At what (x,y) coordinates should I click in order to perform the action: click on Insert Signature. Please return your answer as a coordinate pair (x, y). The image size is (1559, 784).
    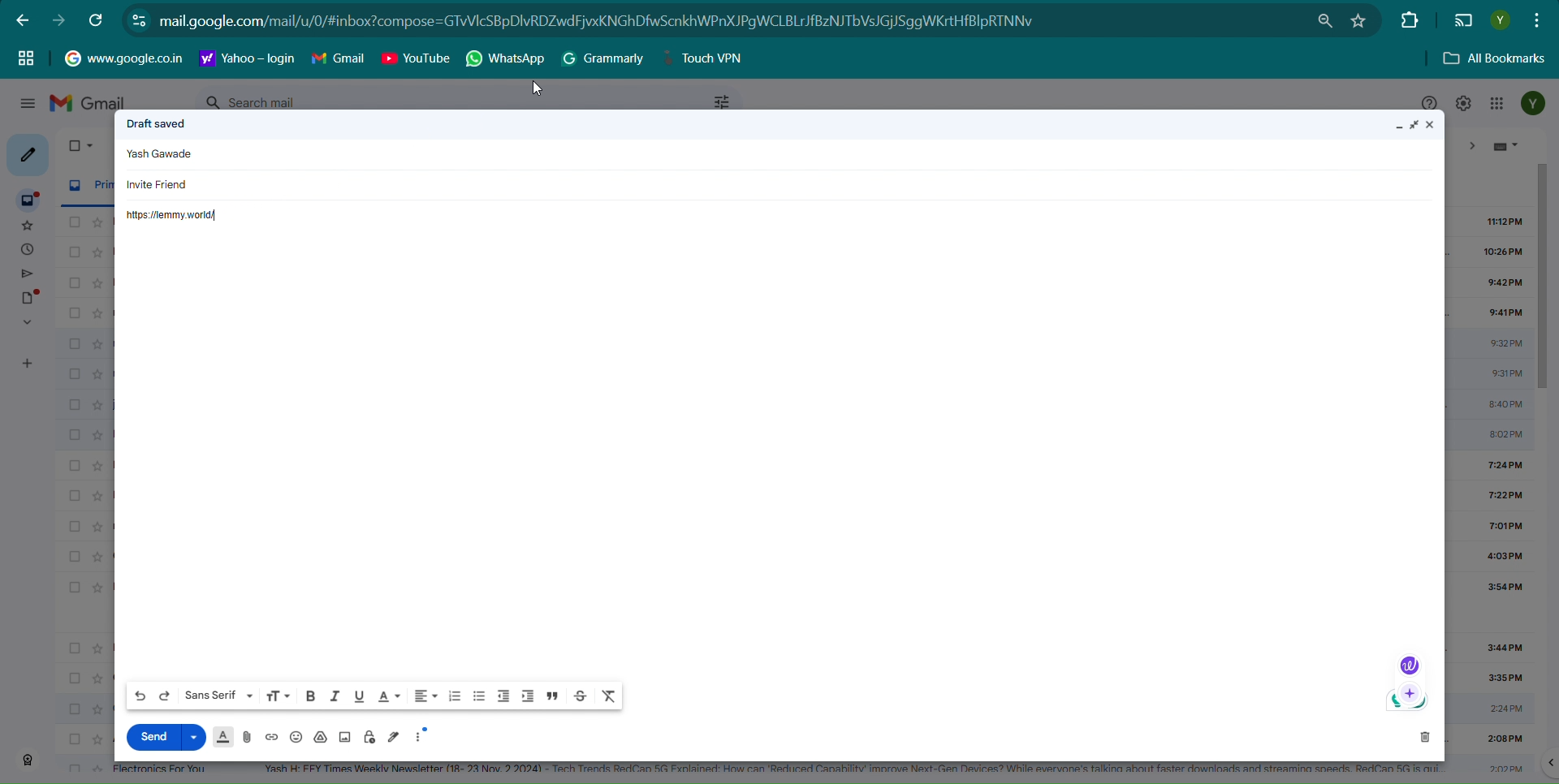
    Looking at the image, I should click on (395, 736).